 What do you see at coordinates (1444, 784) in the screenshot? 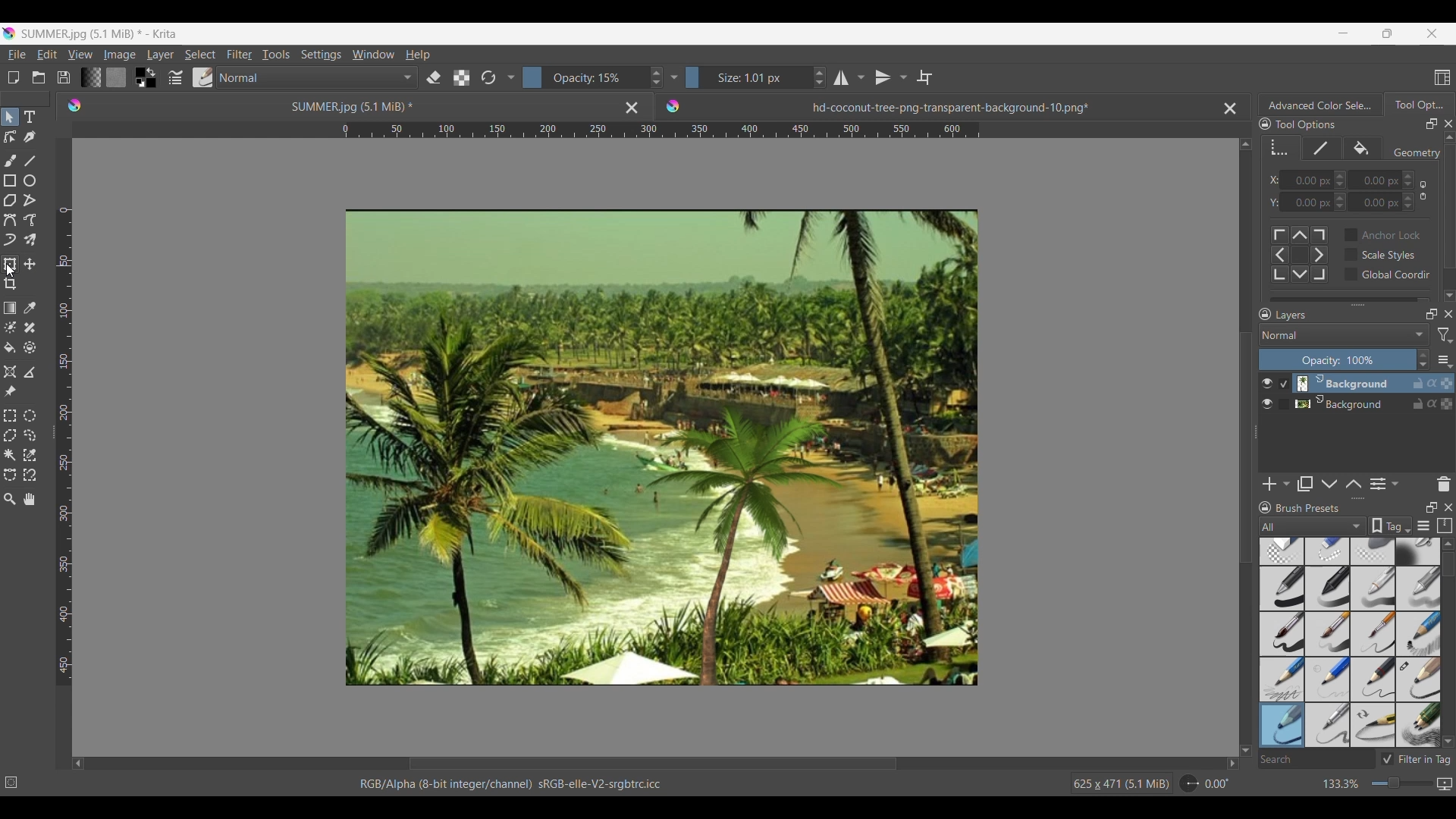
I see `Map the displayed canvas size` at bounding box center [1444, 784].